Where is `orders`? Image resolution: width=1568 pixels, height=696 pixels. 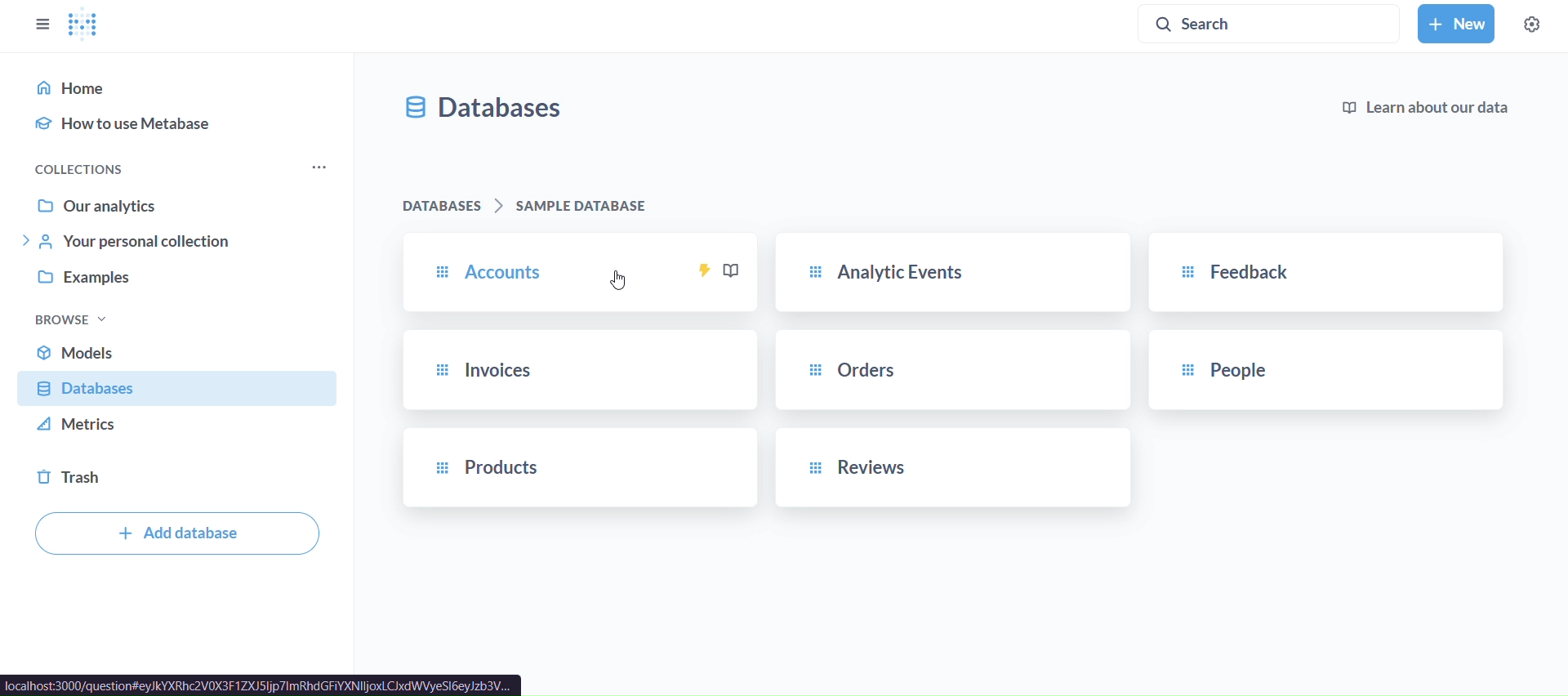
orders is located at coordinates (952, 372).